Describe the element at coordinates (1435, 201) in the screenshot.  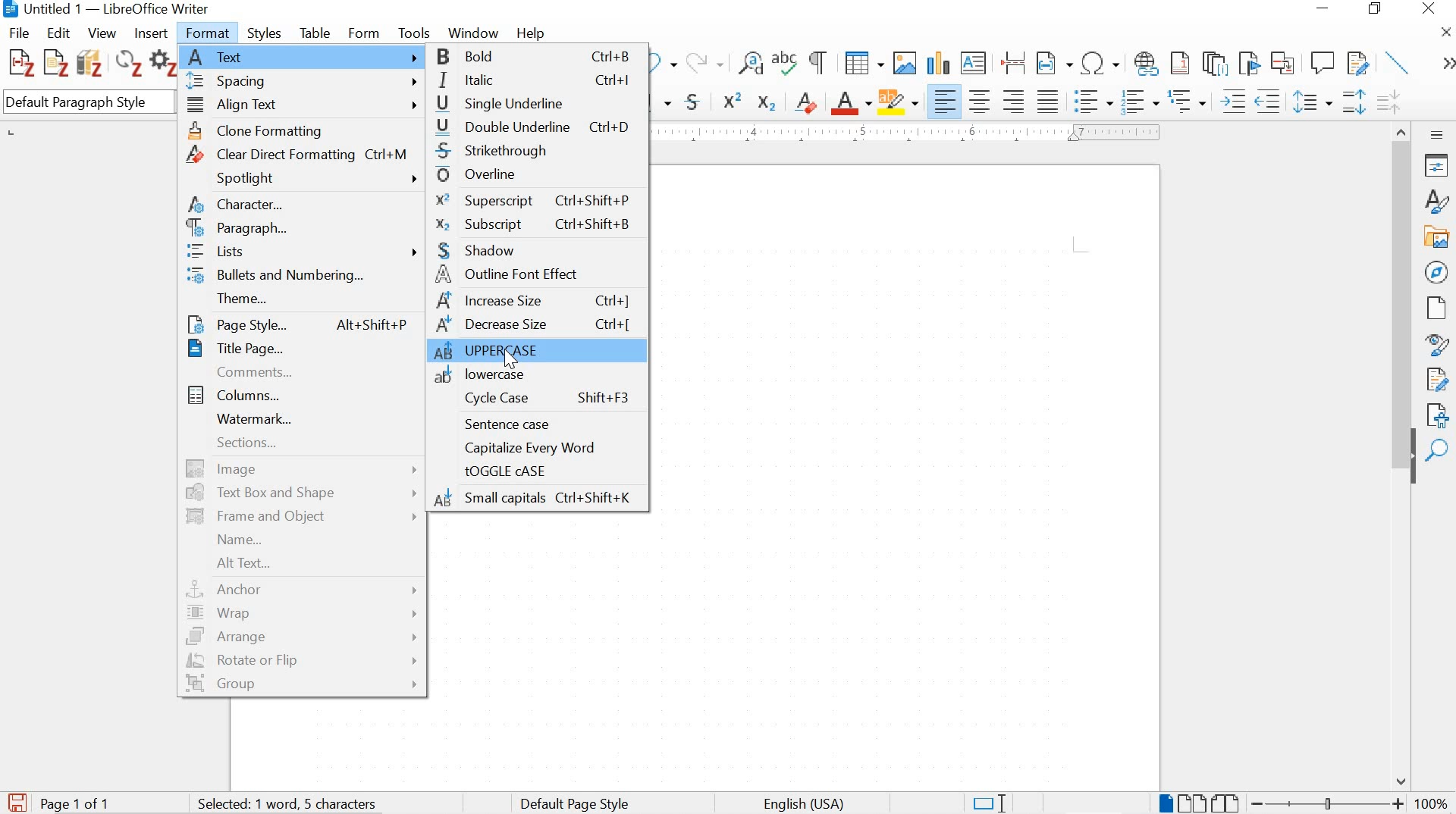
I see `styles` at that location.